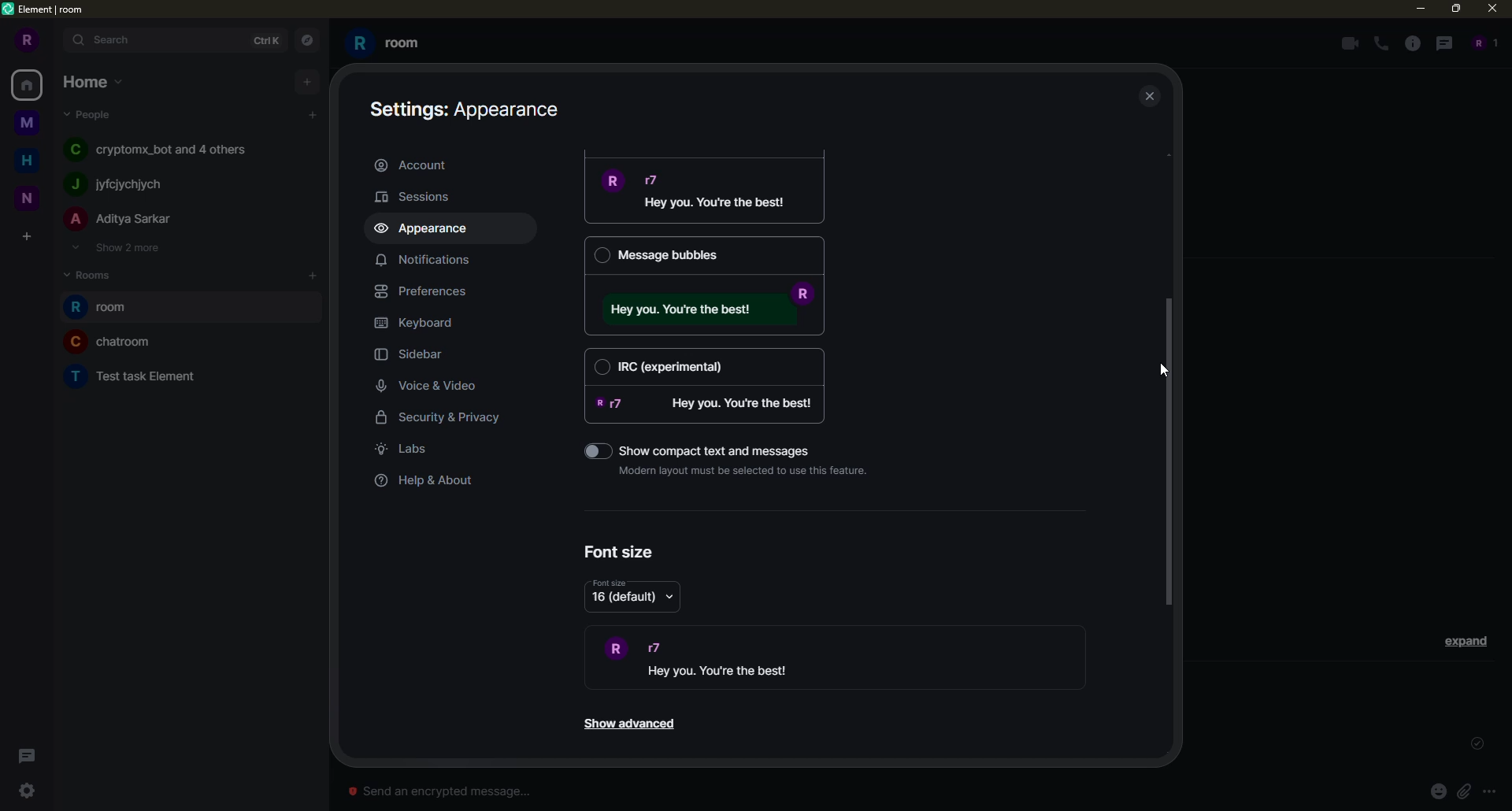 The height and width of the screenshot is (811, 1512). What do you see at coordinates (710, 309) in the screenshot?
I see `message` at bounding box center [710, 309].